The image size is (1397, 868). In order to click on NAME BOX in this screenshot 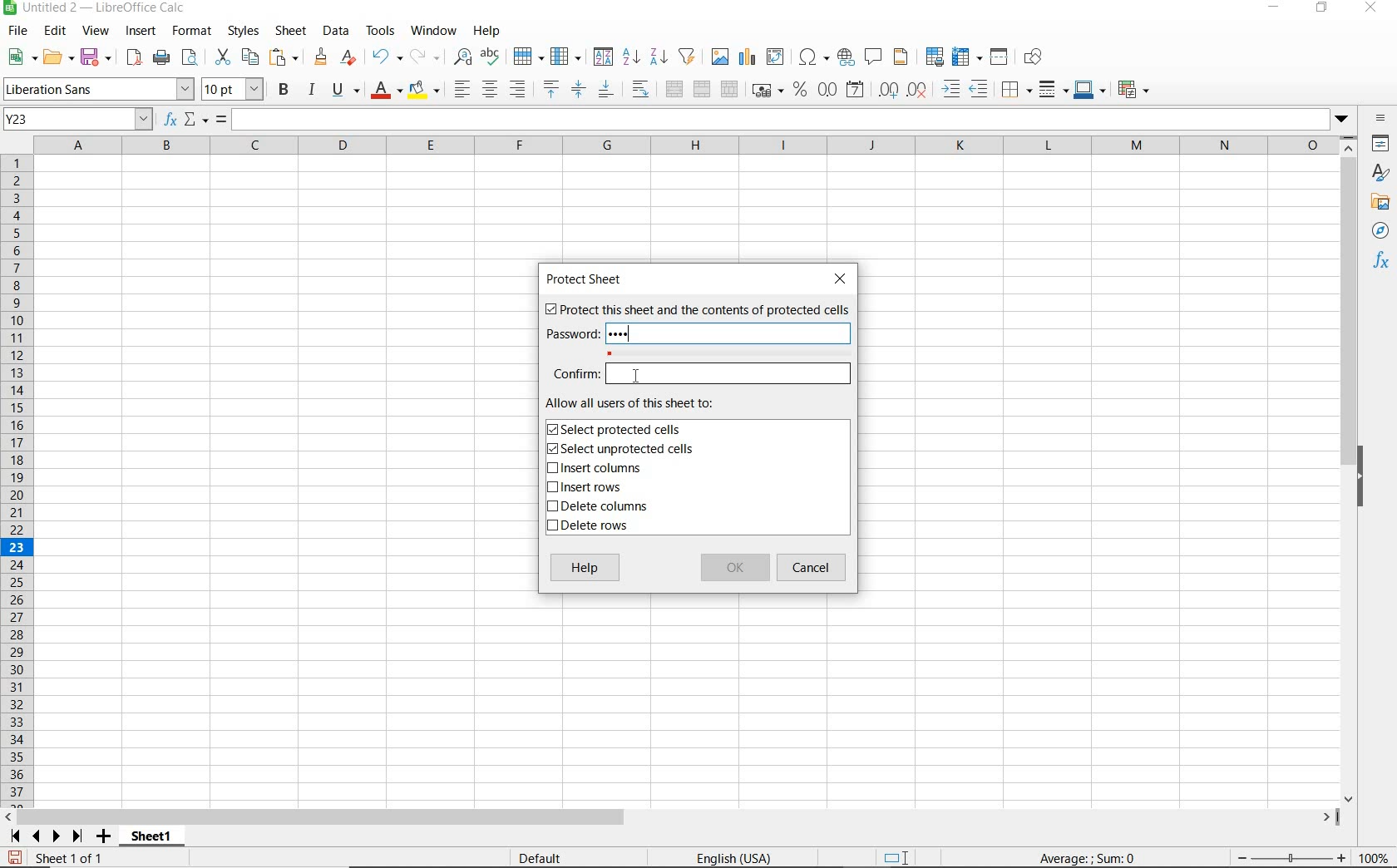, I will do `click(78, 120)`.